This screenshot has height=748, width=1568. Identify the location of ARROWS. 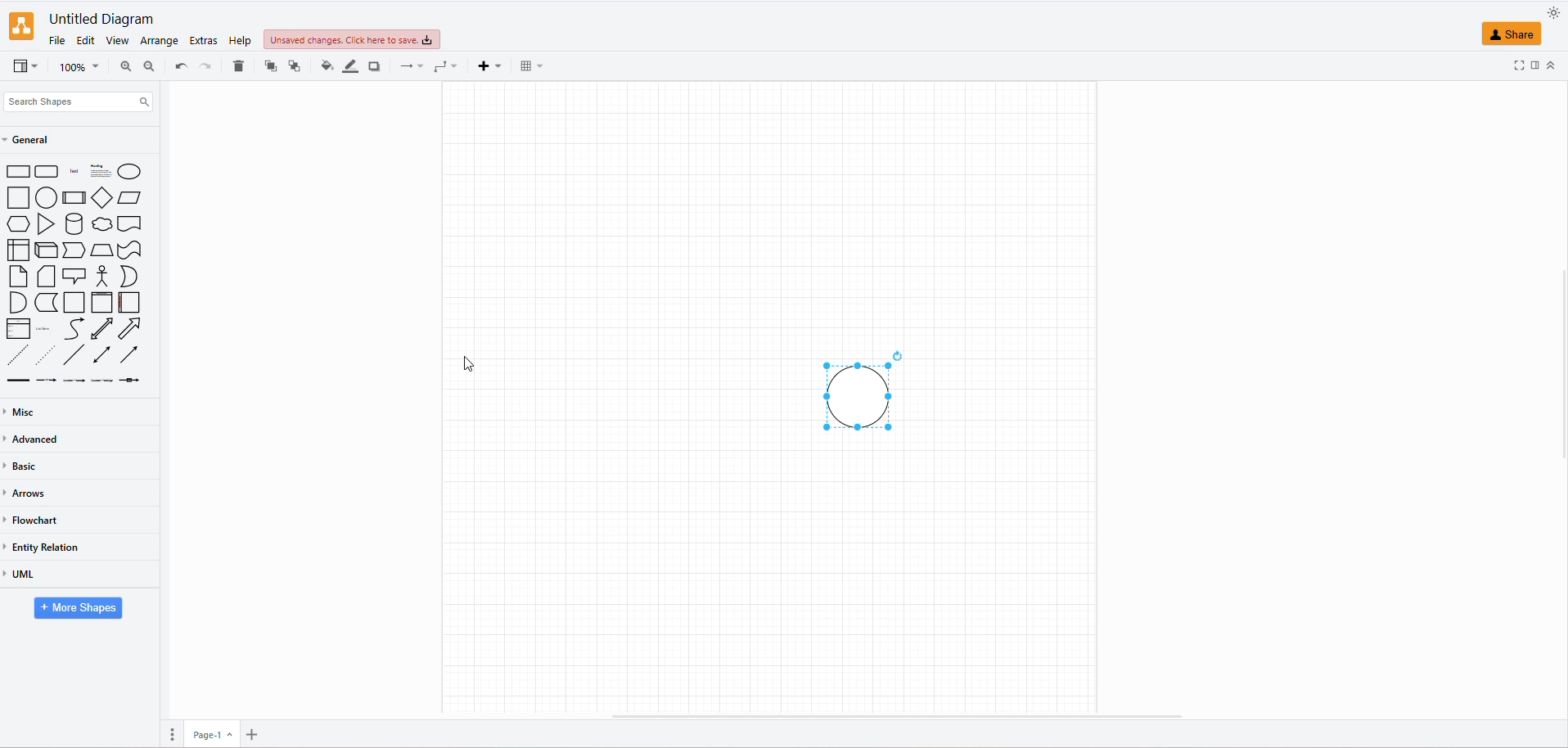
(29, 495).